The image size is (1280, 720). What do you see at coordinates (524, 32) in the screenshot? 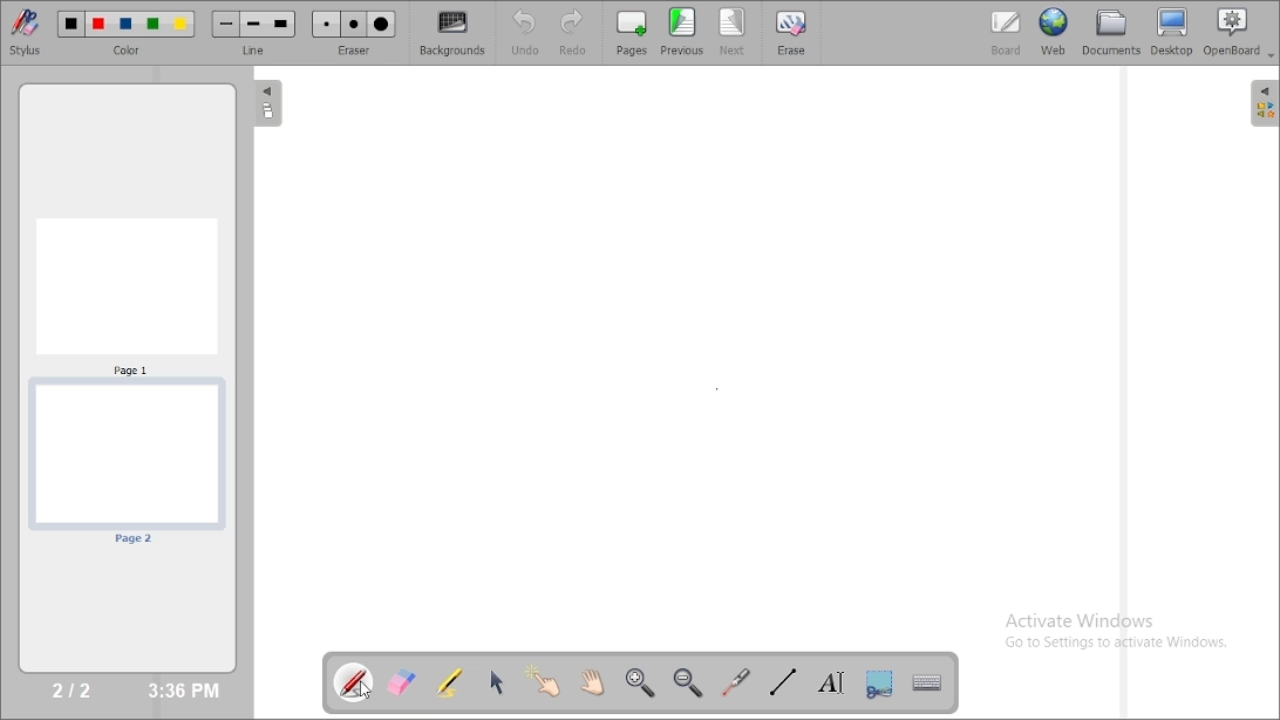
I see `undo` at bounding box center [524, 32].